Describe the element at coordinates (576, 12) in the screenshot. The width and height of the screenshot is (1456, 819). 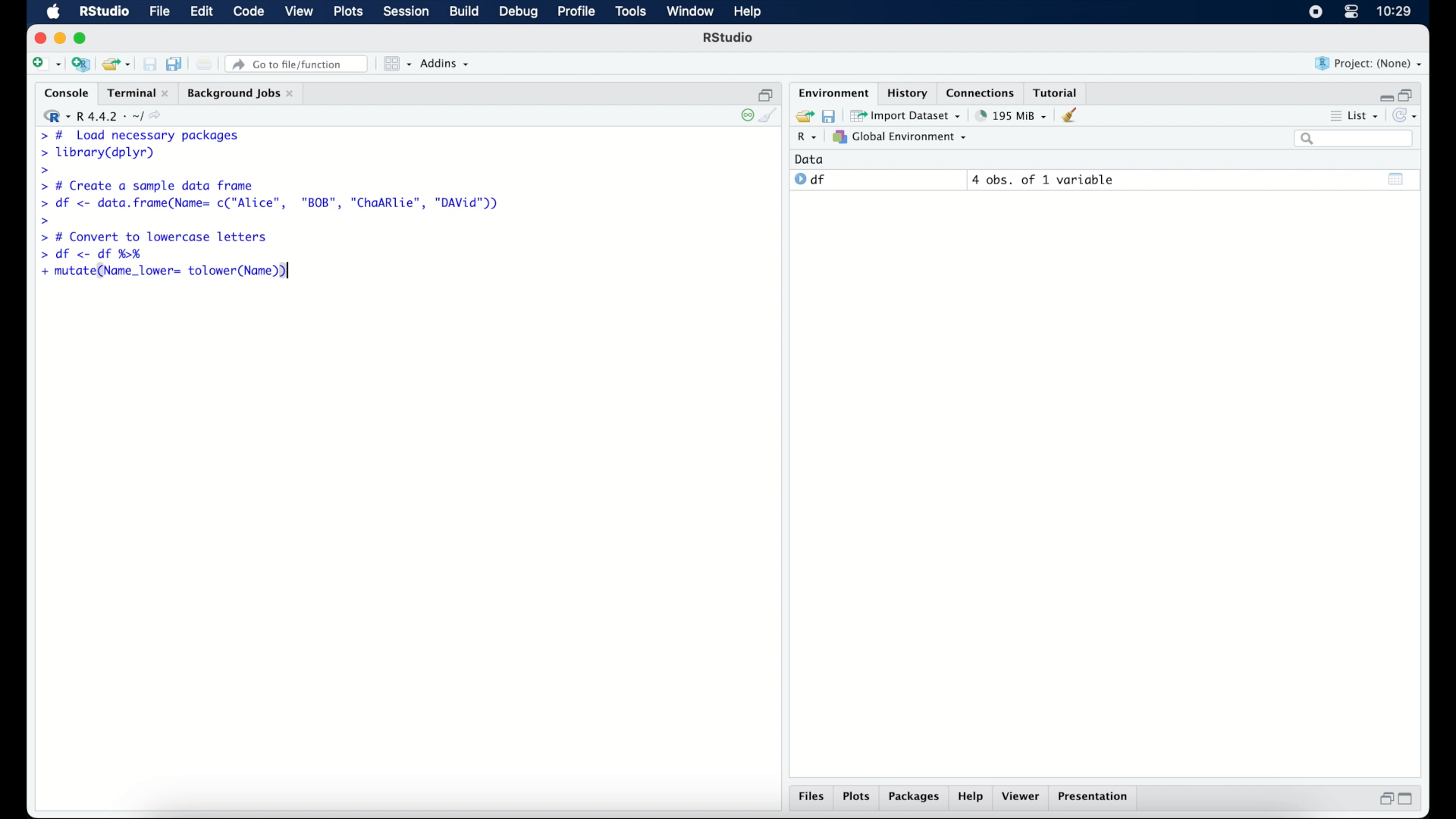
I see `profile` at that location.